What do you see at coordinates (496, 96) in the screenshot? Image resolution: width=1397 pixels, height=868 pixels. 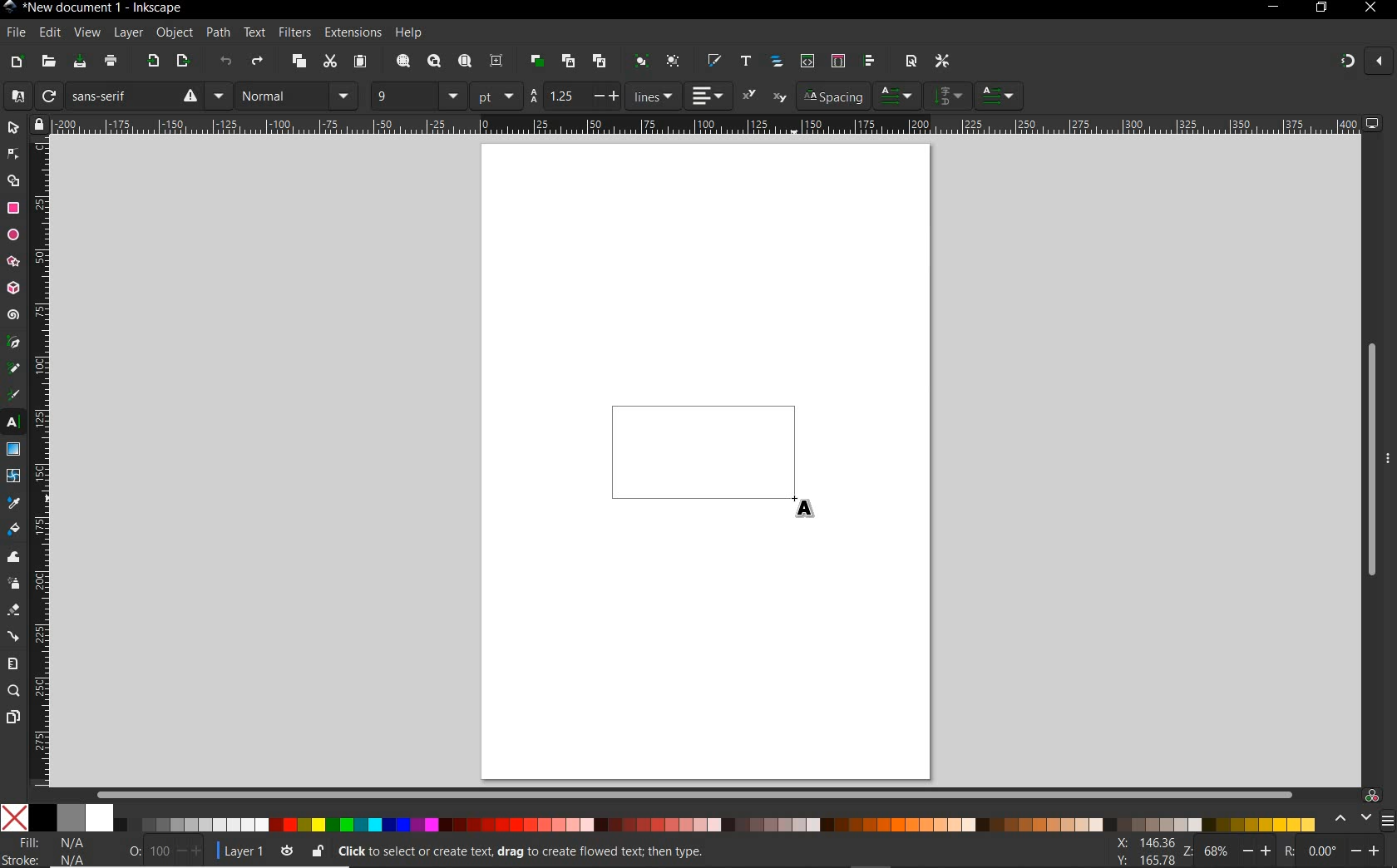 I see `pt` at bounding box center [496, 96].